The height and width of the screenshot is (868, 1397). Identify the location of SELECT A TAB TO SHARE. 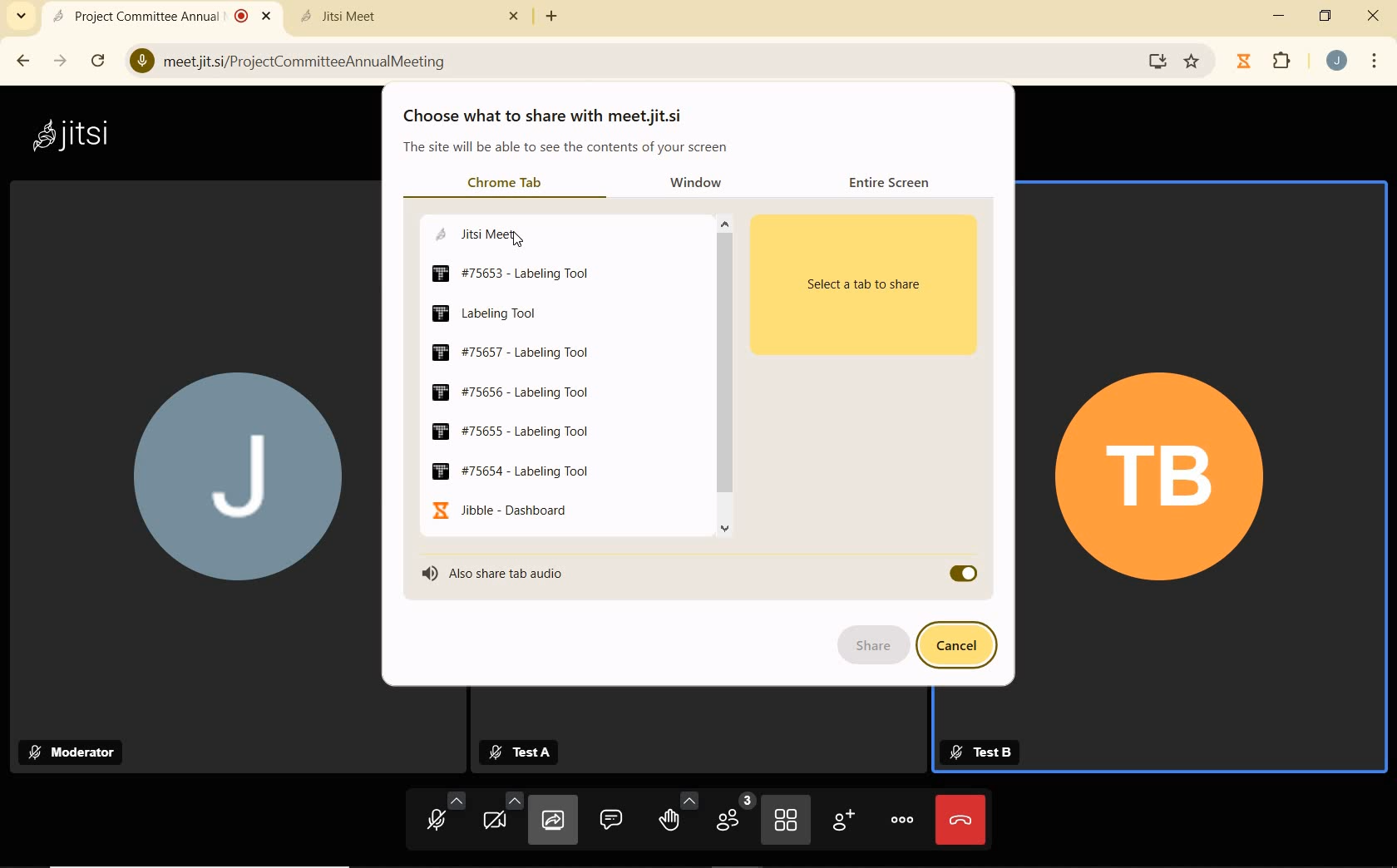
(873, 283).